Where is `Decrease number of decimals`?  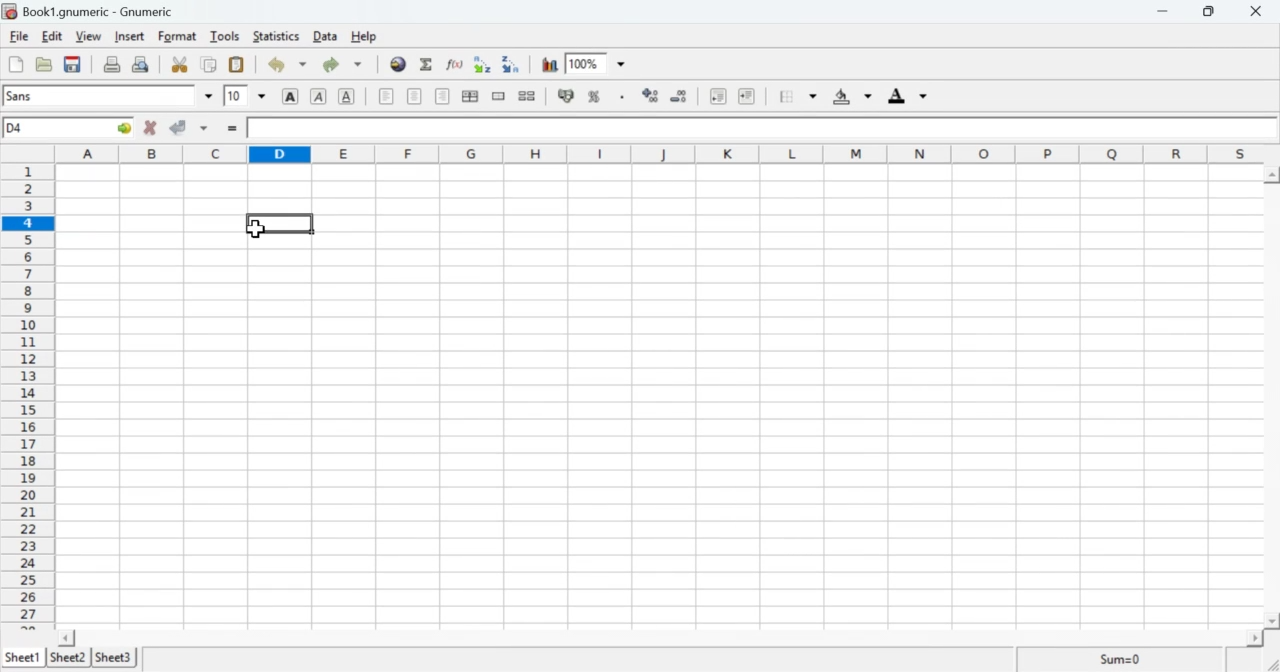
Decrease number of decimals is located at coordinates (682, 96).